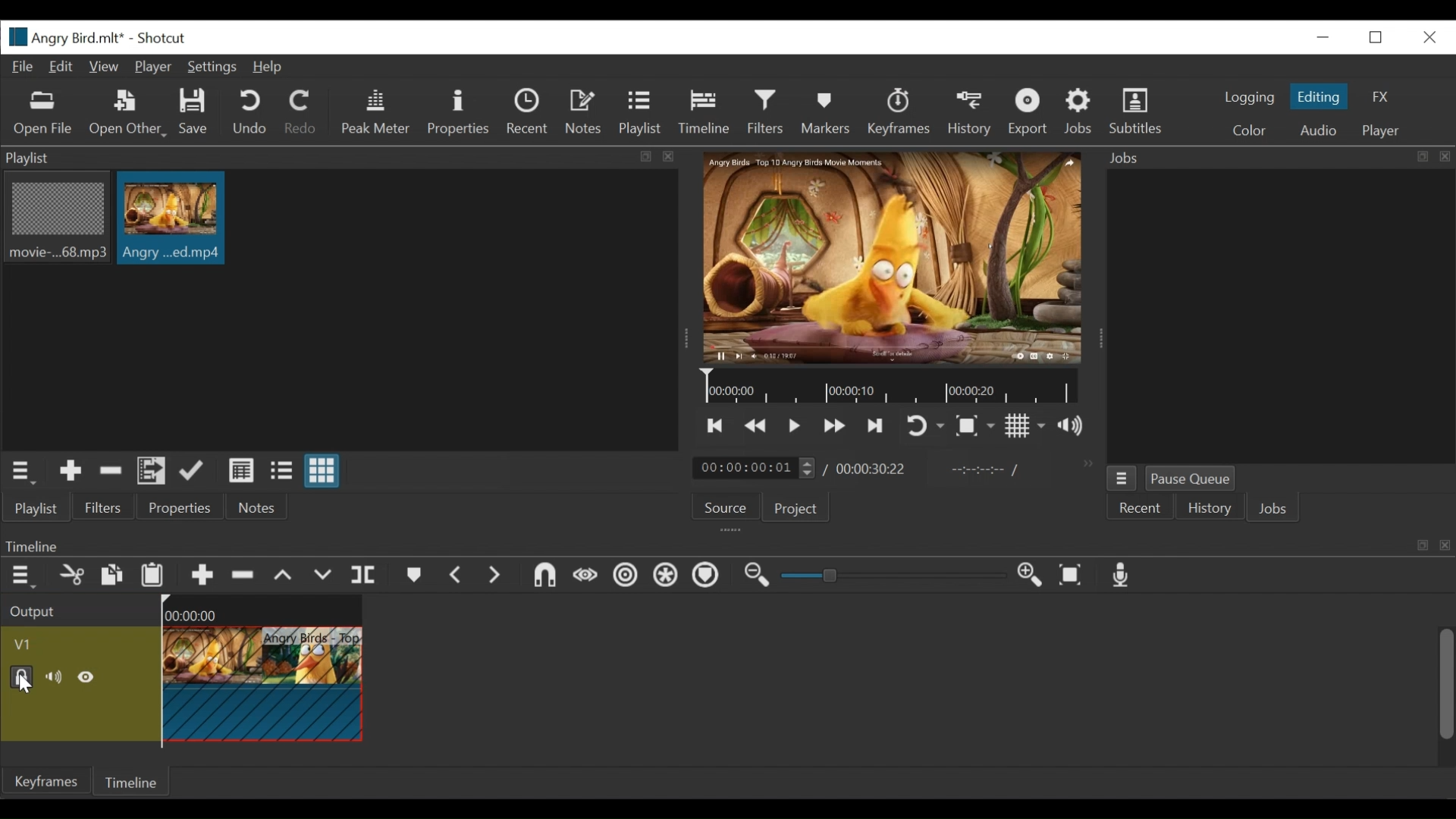 The height and width of the screenshot is (819, 1456). What do you see at coordinates (1191, 477) in the screenshot?
I see `Pause Queue` at bounding box center [1191, 477].